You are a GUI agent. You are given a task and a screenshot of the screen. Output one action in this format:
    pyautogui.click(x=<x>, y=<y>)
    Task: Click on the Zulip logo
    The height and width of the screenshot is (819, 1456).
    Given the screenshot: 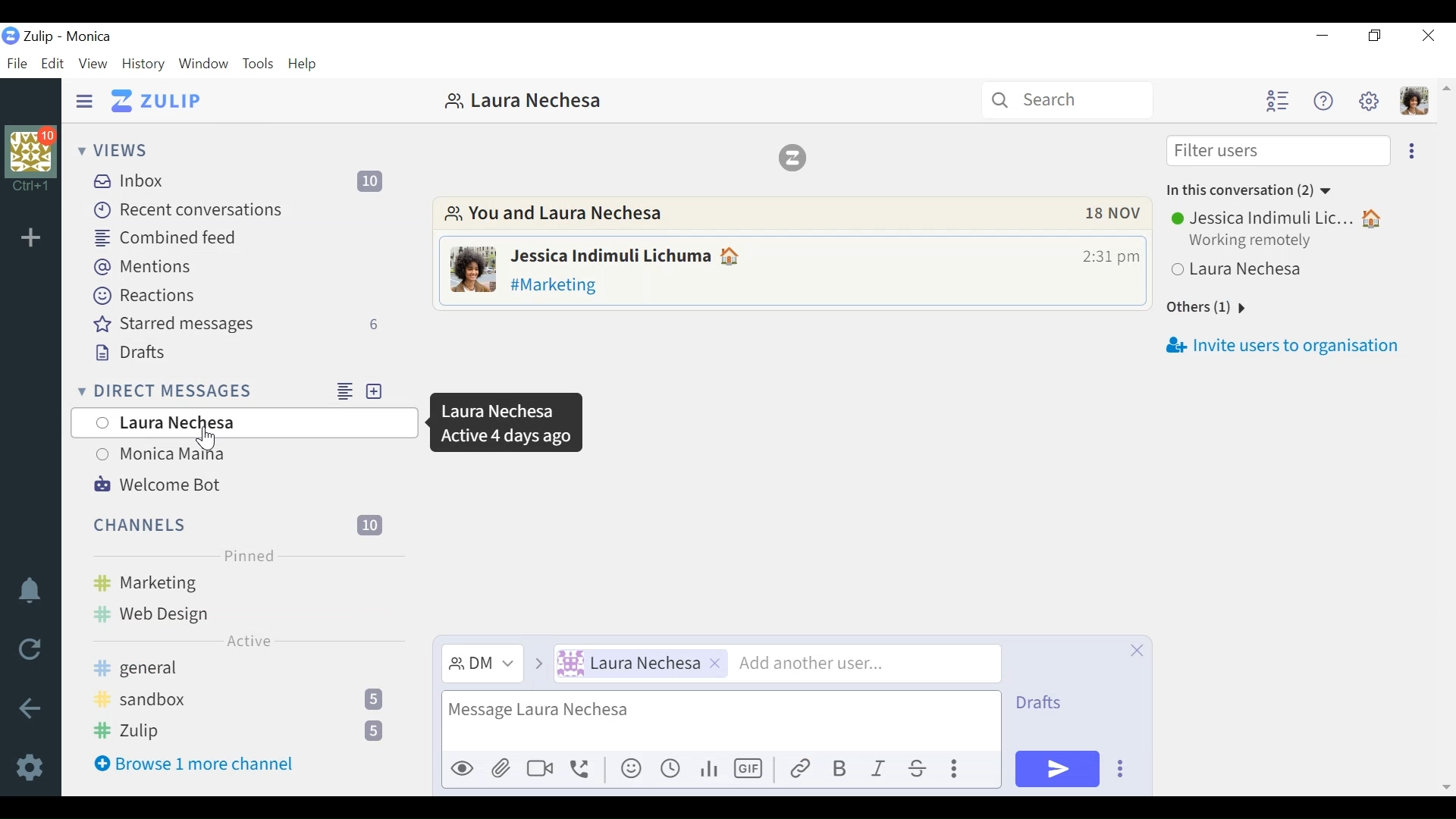 What is the action you would take?
    pyautogui.click(x=789, y=158)
    